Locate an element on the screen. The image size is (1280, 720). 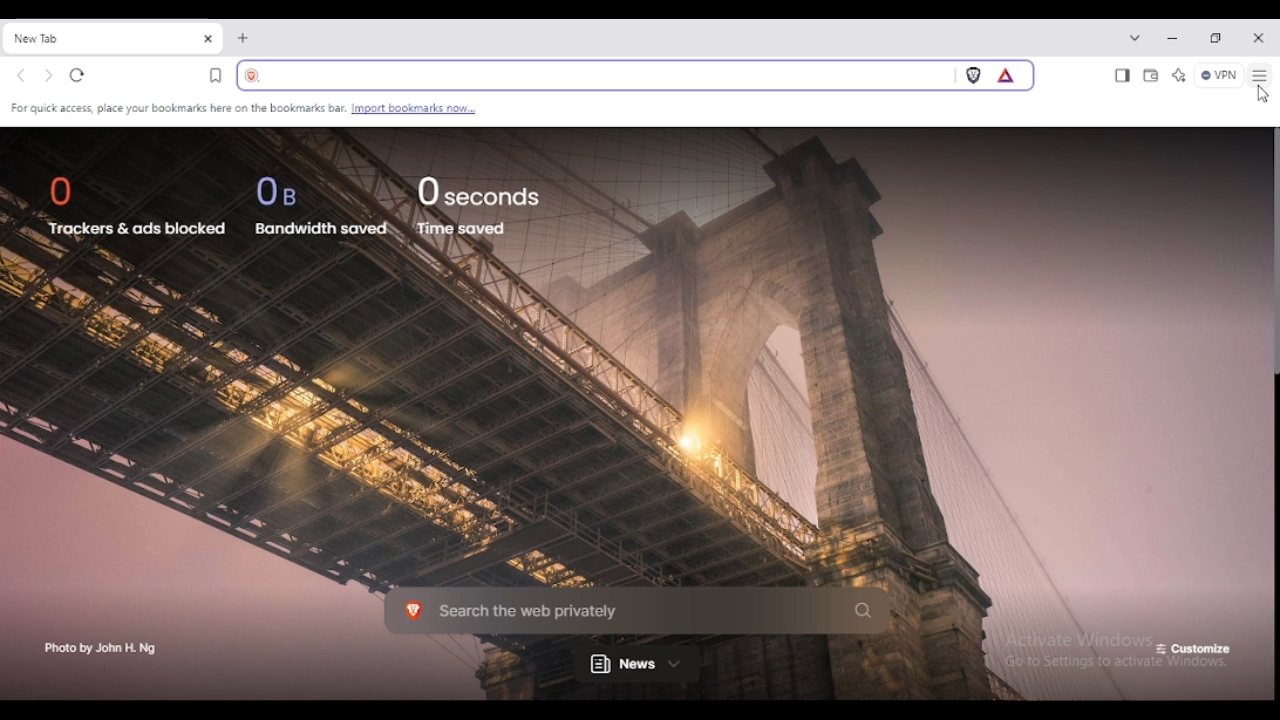
brave firewall + VPN is located at coordinates (1218, 75).